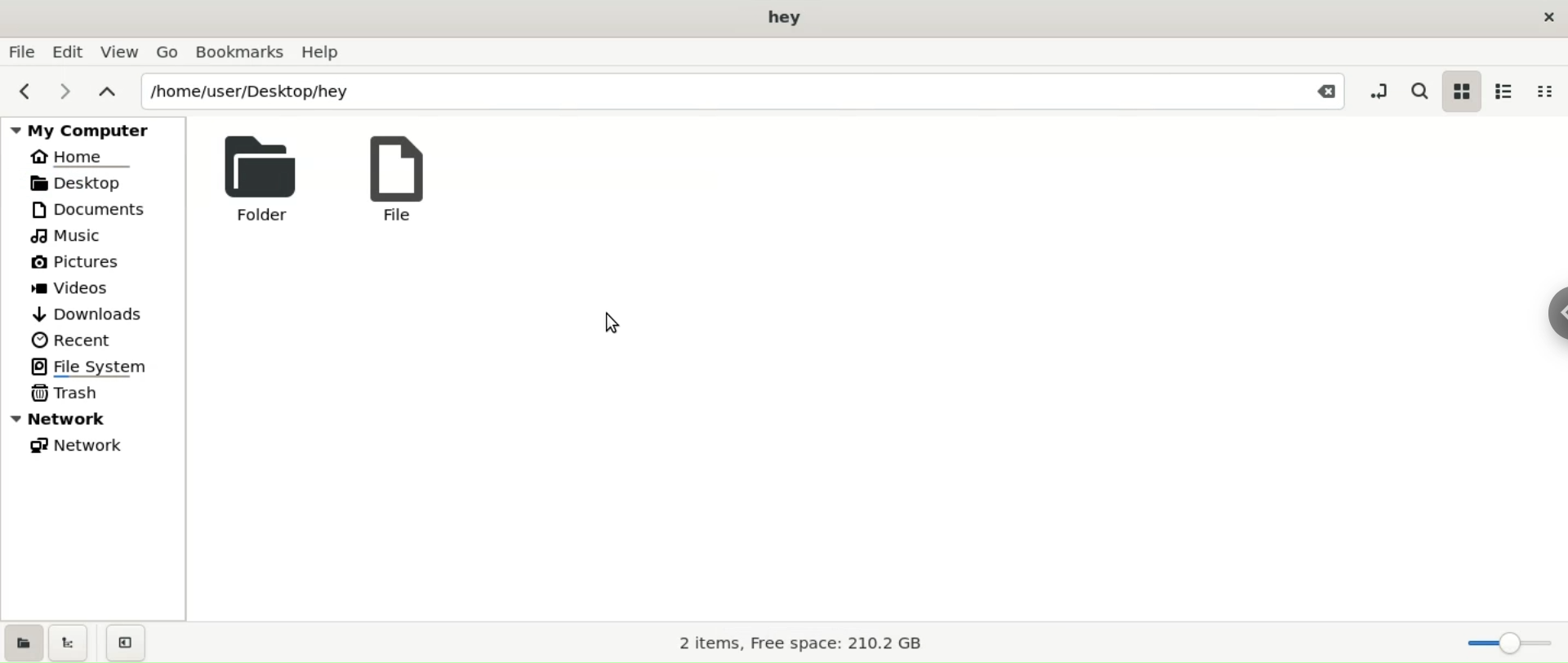 This screenshot has height=663, width=1568. What do you see at coordinates (613, 323) in the screenshot?
I see `cursor` at bounding box center [613, 323].